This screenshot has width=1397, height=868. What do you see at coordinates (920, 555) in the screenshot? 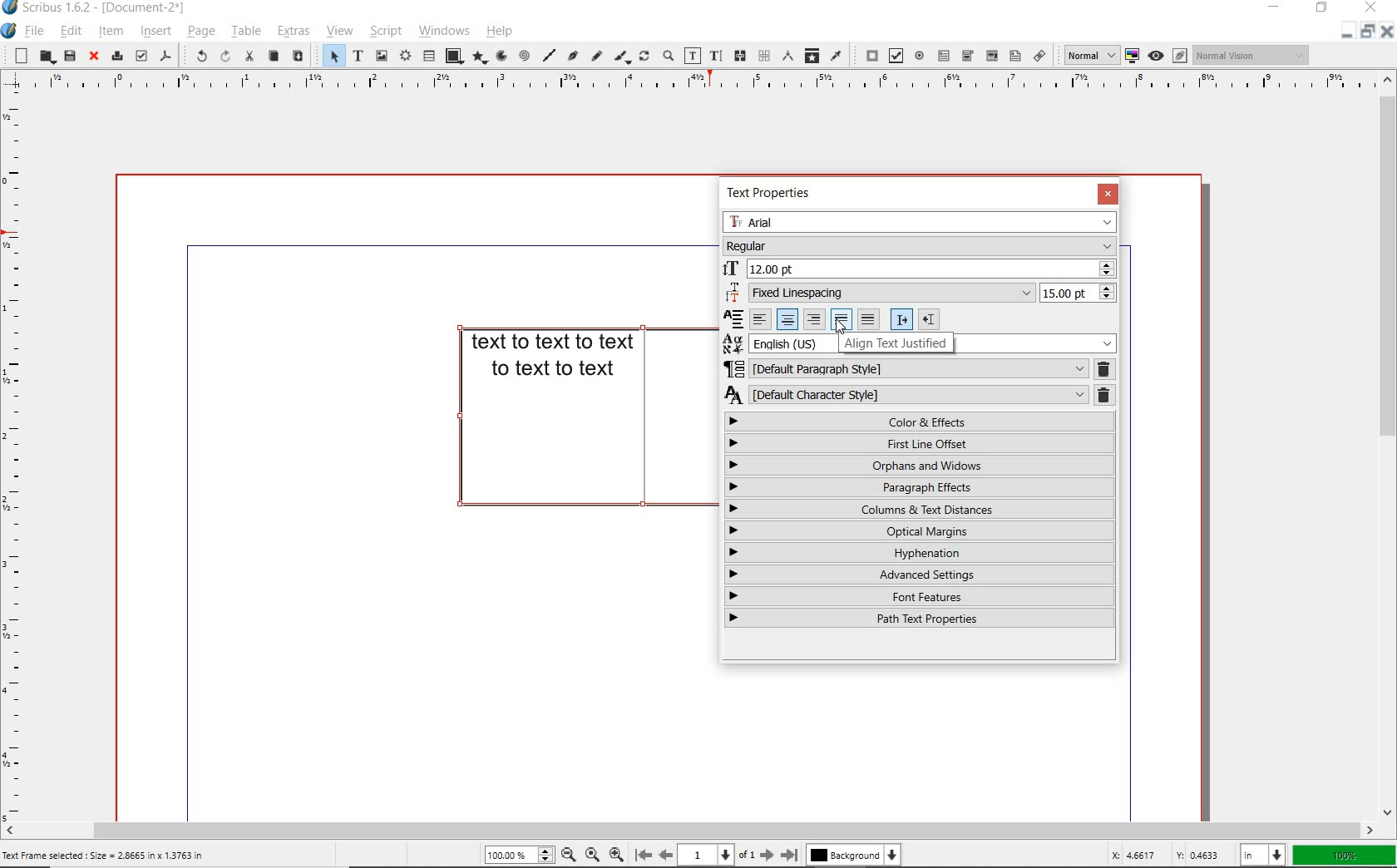
I see `HYPHENATION` at bounding box center [920, 555].